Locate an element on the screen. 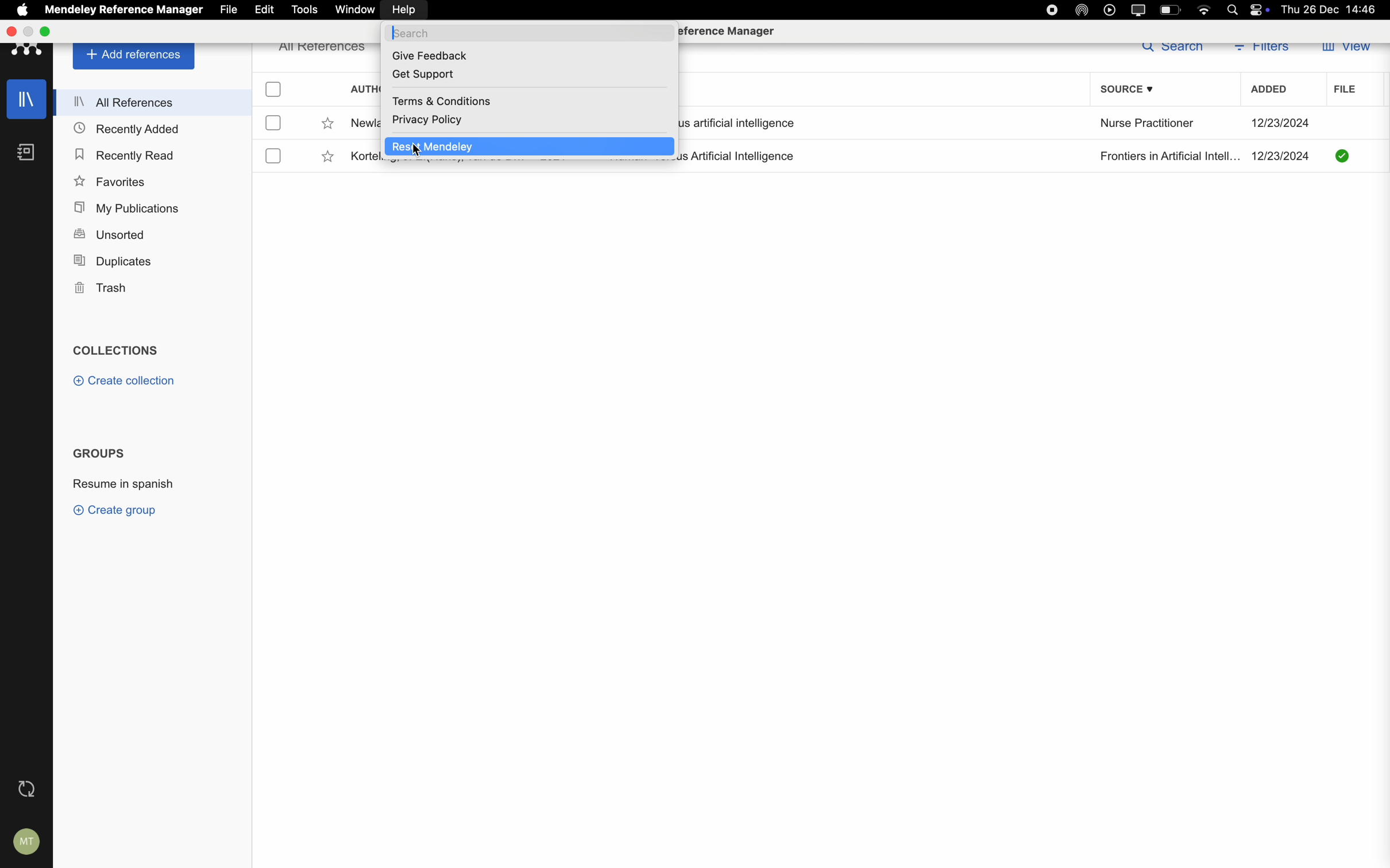  all references is located at coordinates (151, 102).